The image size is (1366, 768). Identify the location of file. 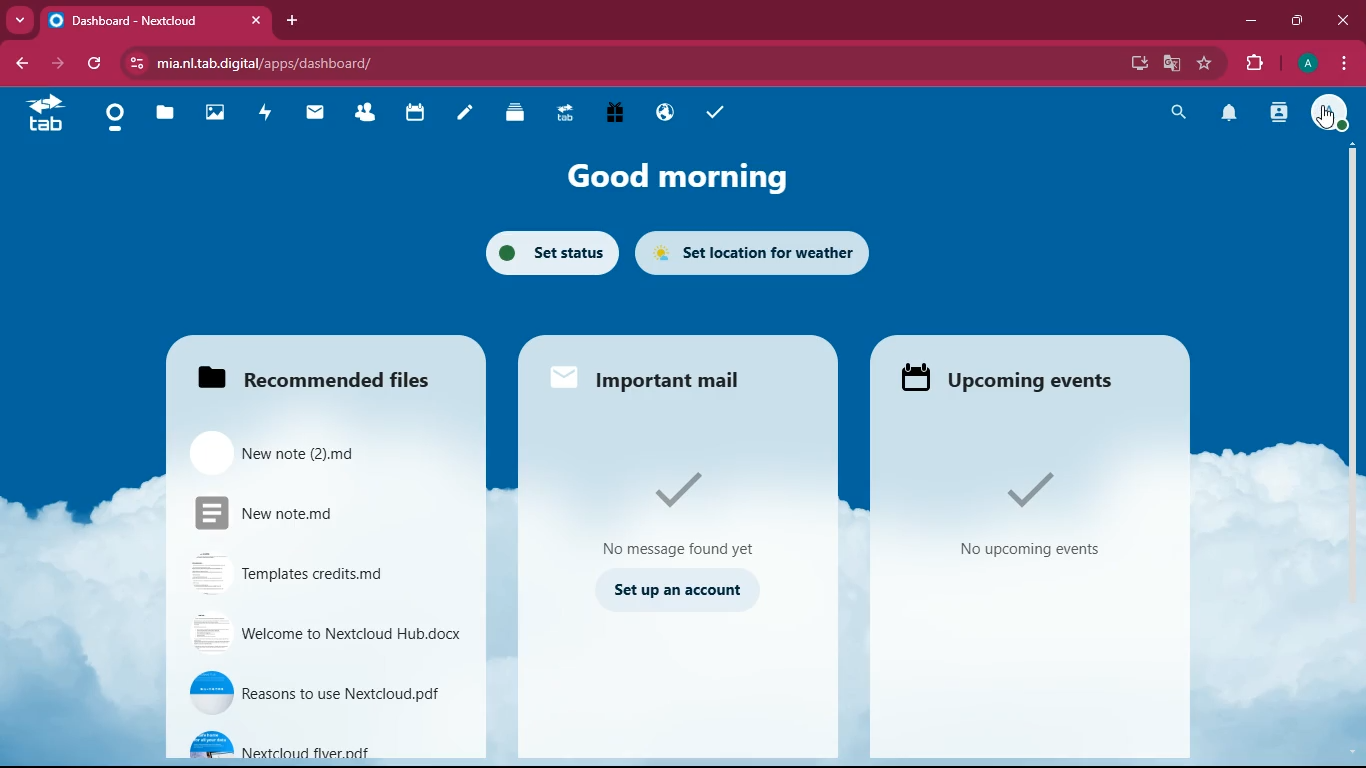
(162, 113).